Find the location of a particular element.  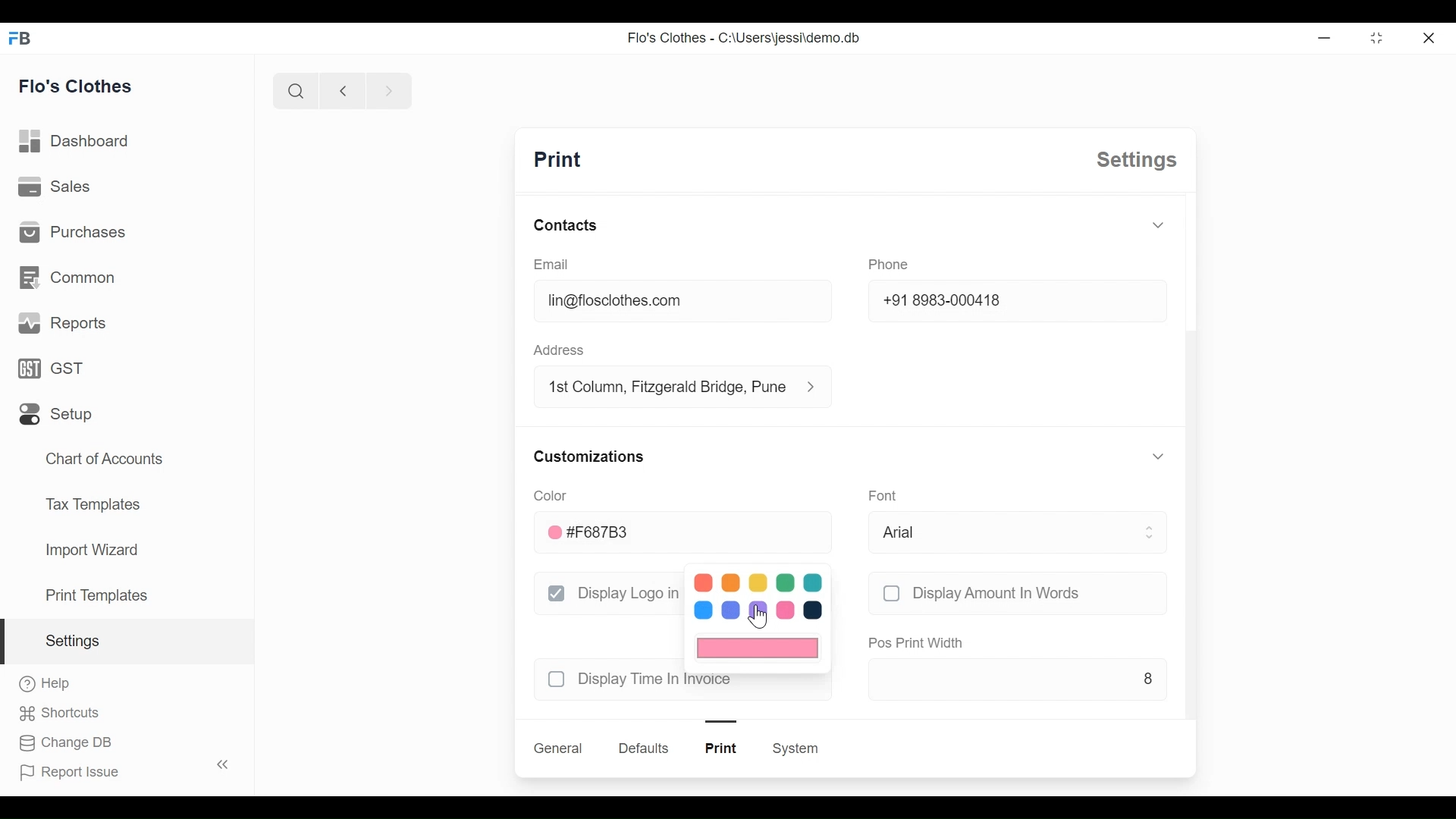

address is located at coordinates (558, 350).